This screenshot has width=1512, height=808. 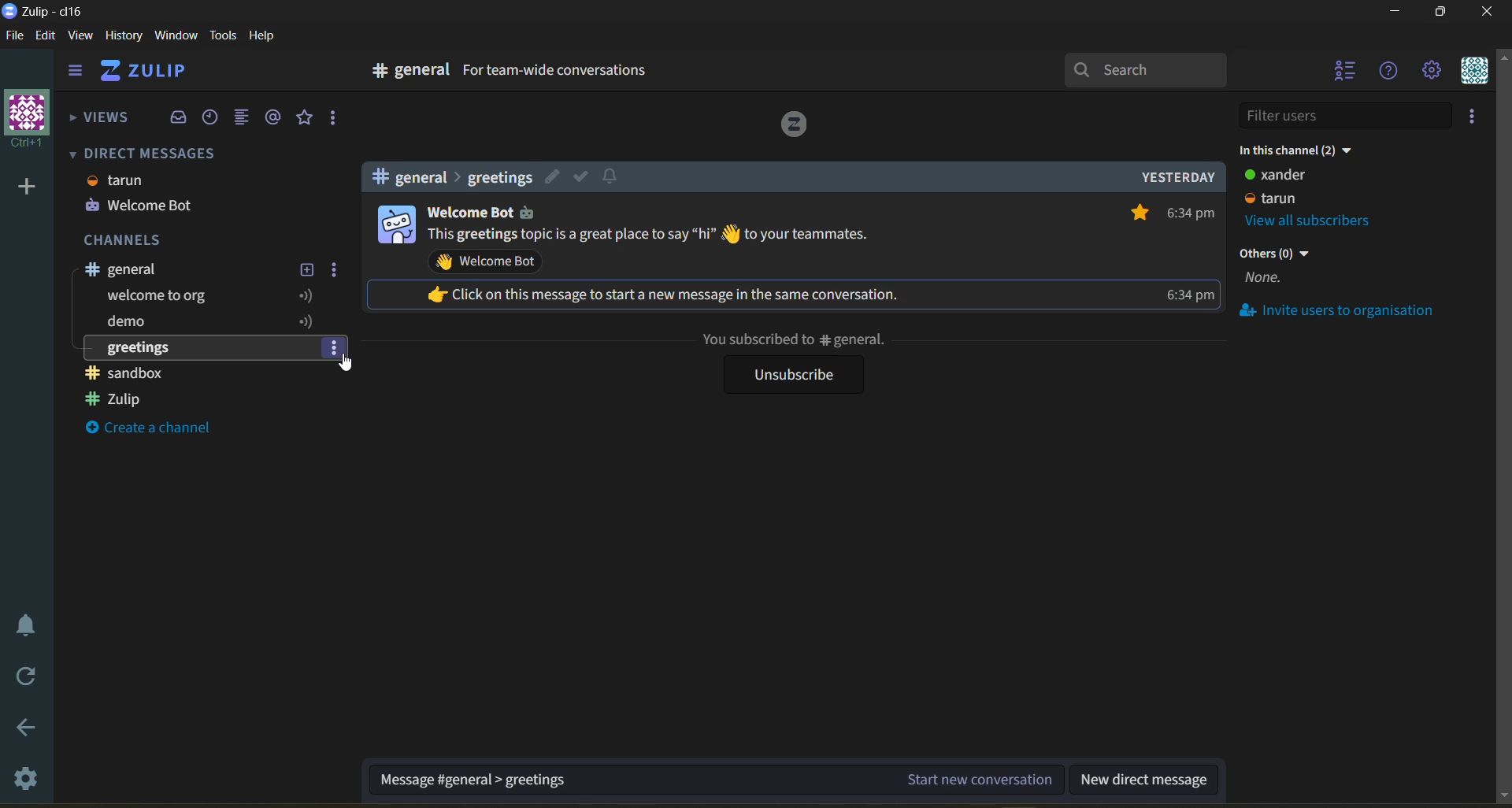 I want to click on combined feed, so click(x=242, y=117).